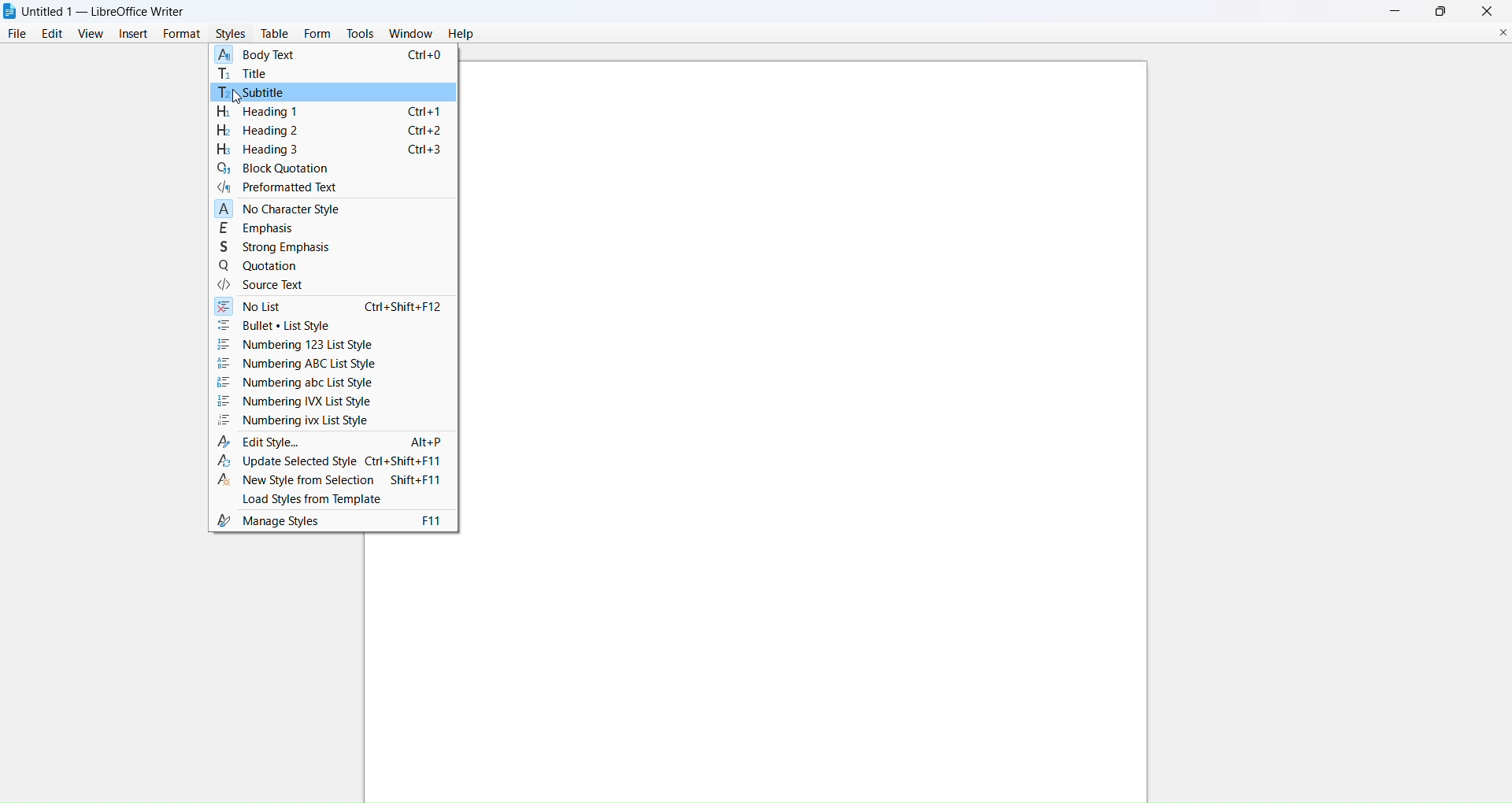  What do you see at coordinates (278, 189) in the screenshot?
I see `prefomatted text` at bounding box center [278, 189].